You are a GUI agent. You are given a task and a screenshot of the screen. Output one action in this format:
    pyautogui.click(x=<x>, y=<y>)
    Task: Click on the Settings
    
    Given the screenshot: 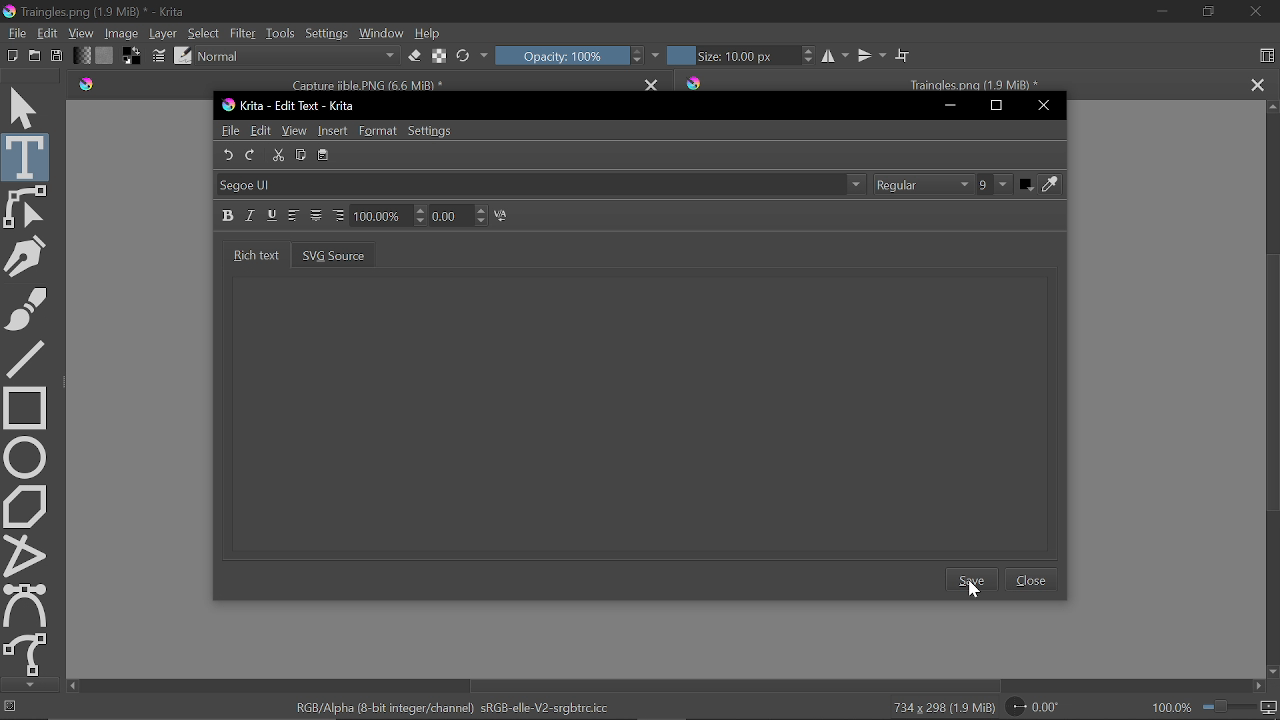 What is the action you would take?
    pyautogui.click(x=435, y=130)
    